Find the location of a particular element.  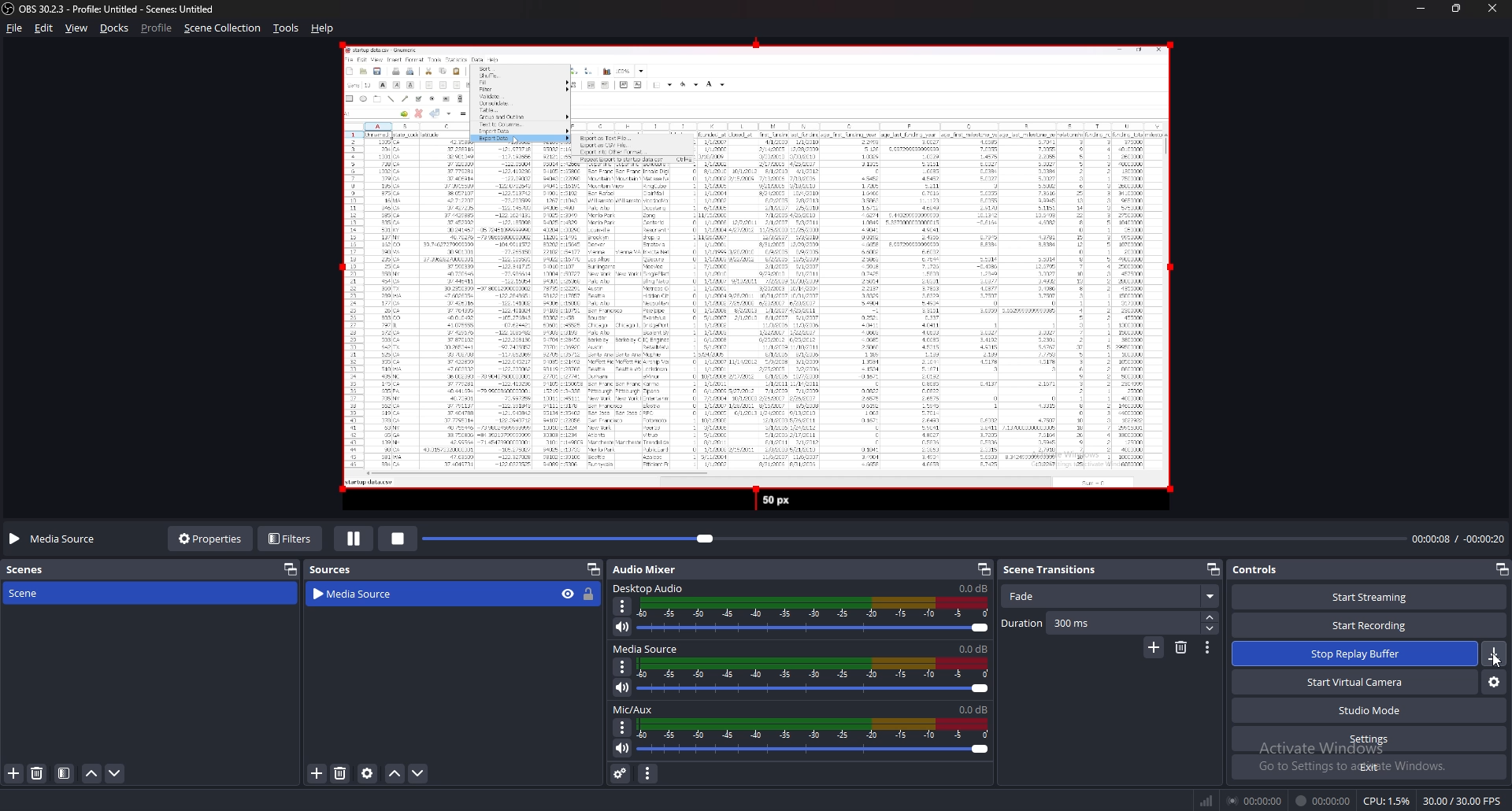

delete scene is located at coordinates (37, 772).